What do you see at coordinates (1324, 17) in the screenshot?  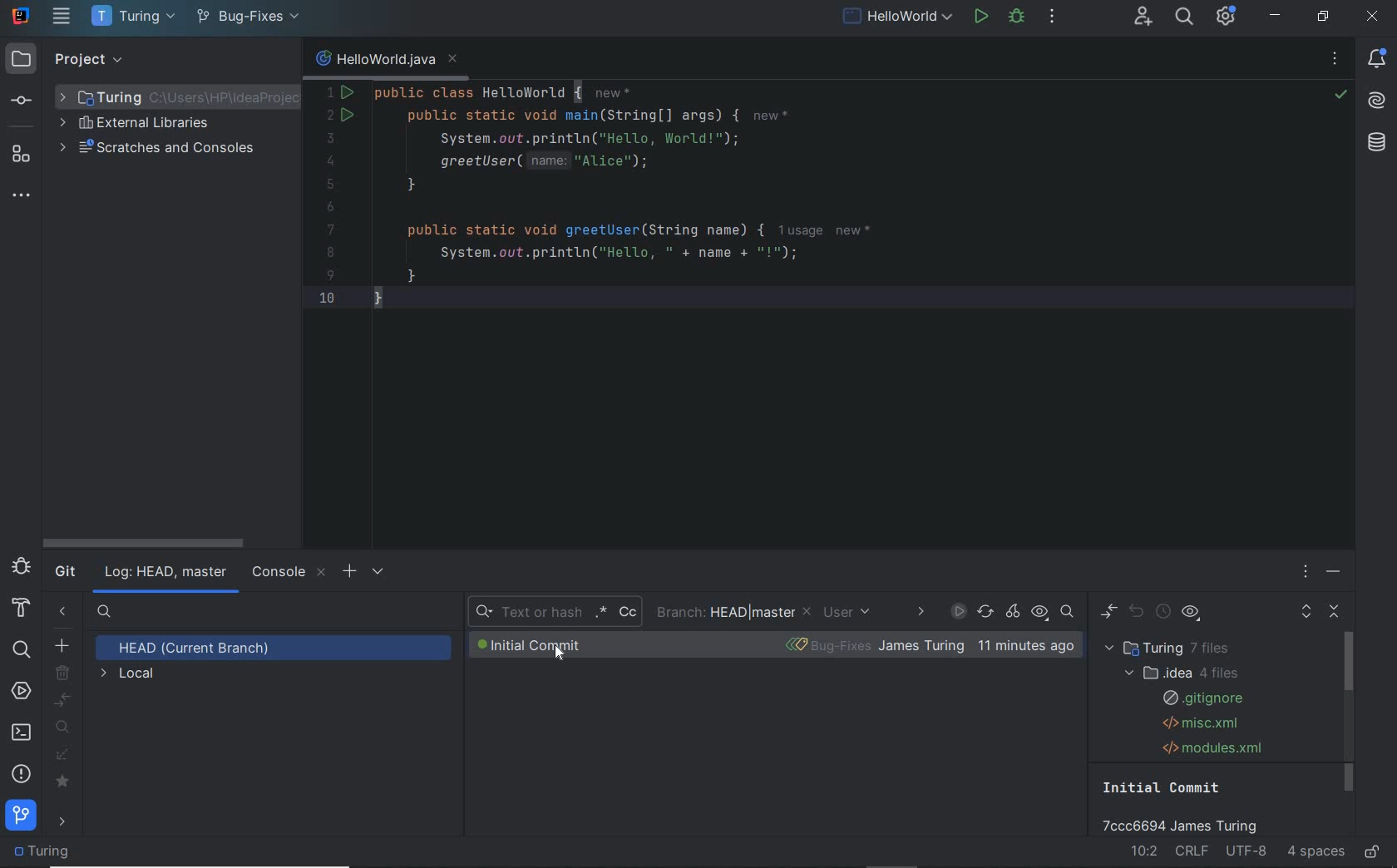 I see `restore down` at bounding box center [1324, 17].